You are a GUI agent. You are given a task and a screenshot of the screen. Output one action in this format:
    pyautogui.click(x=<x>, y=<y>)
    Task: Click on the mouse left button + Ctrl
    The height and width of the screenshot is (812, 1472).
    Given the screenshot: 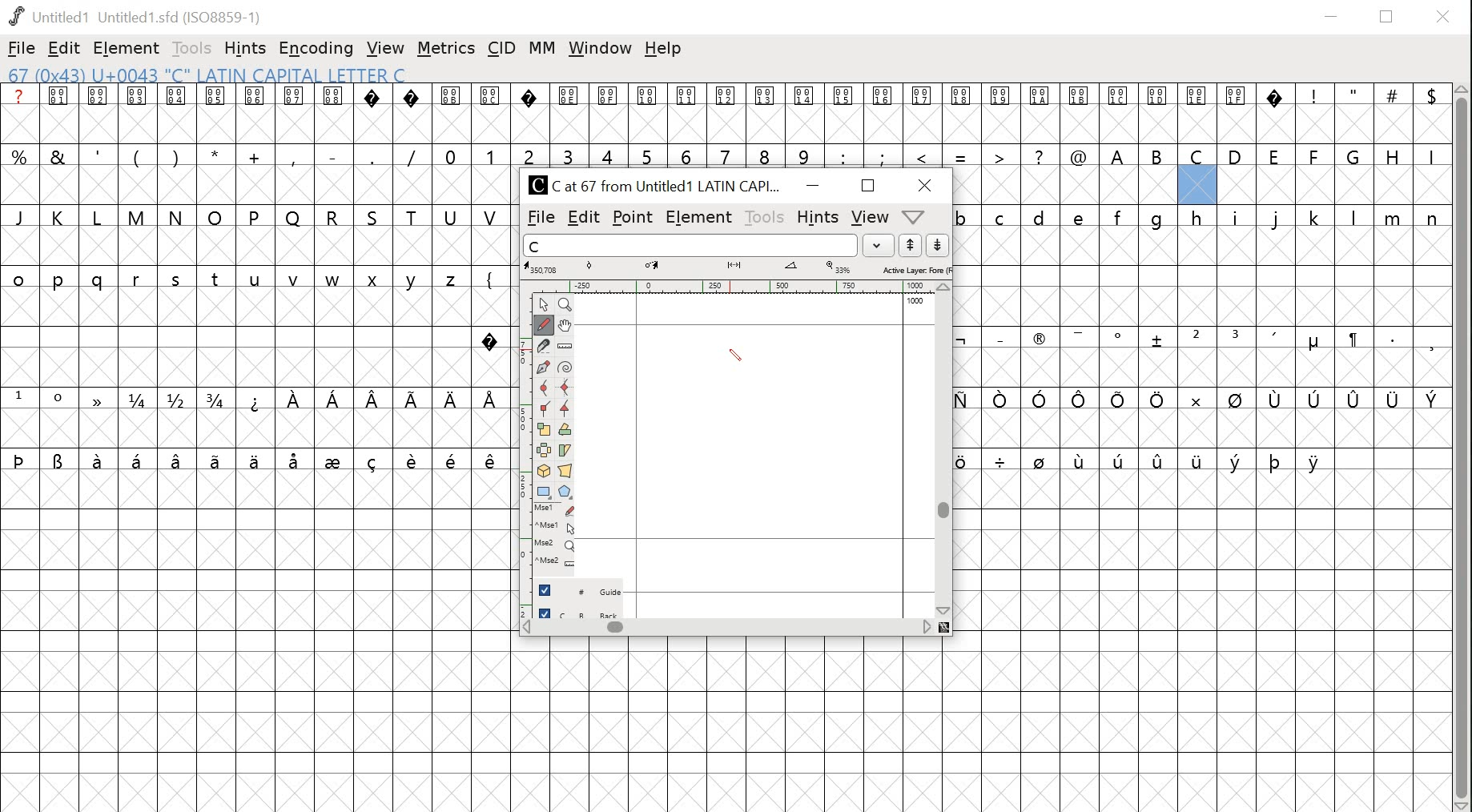 What is the action you would take?
    pyautogui.click(x=557, y=529)
    